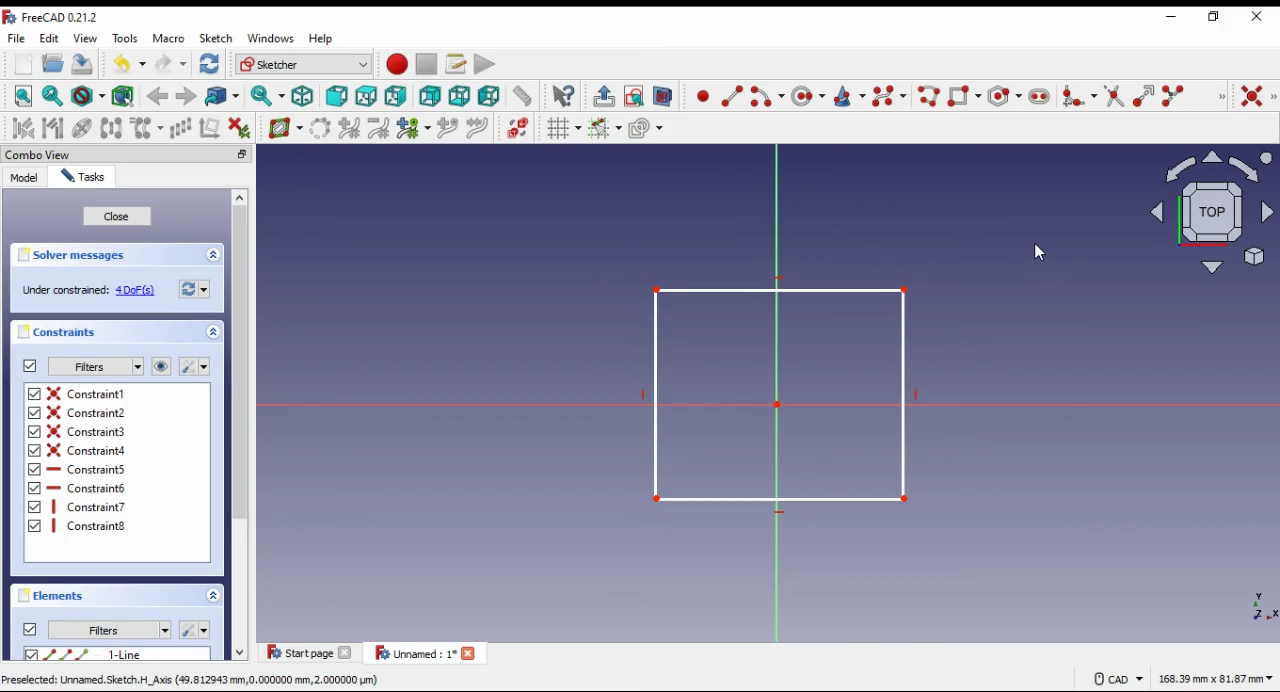 This screenshot has height=692, width=1280. Describe the element at coordinates (39, 154) in the screenshot. I see `combo view` at that location.